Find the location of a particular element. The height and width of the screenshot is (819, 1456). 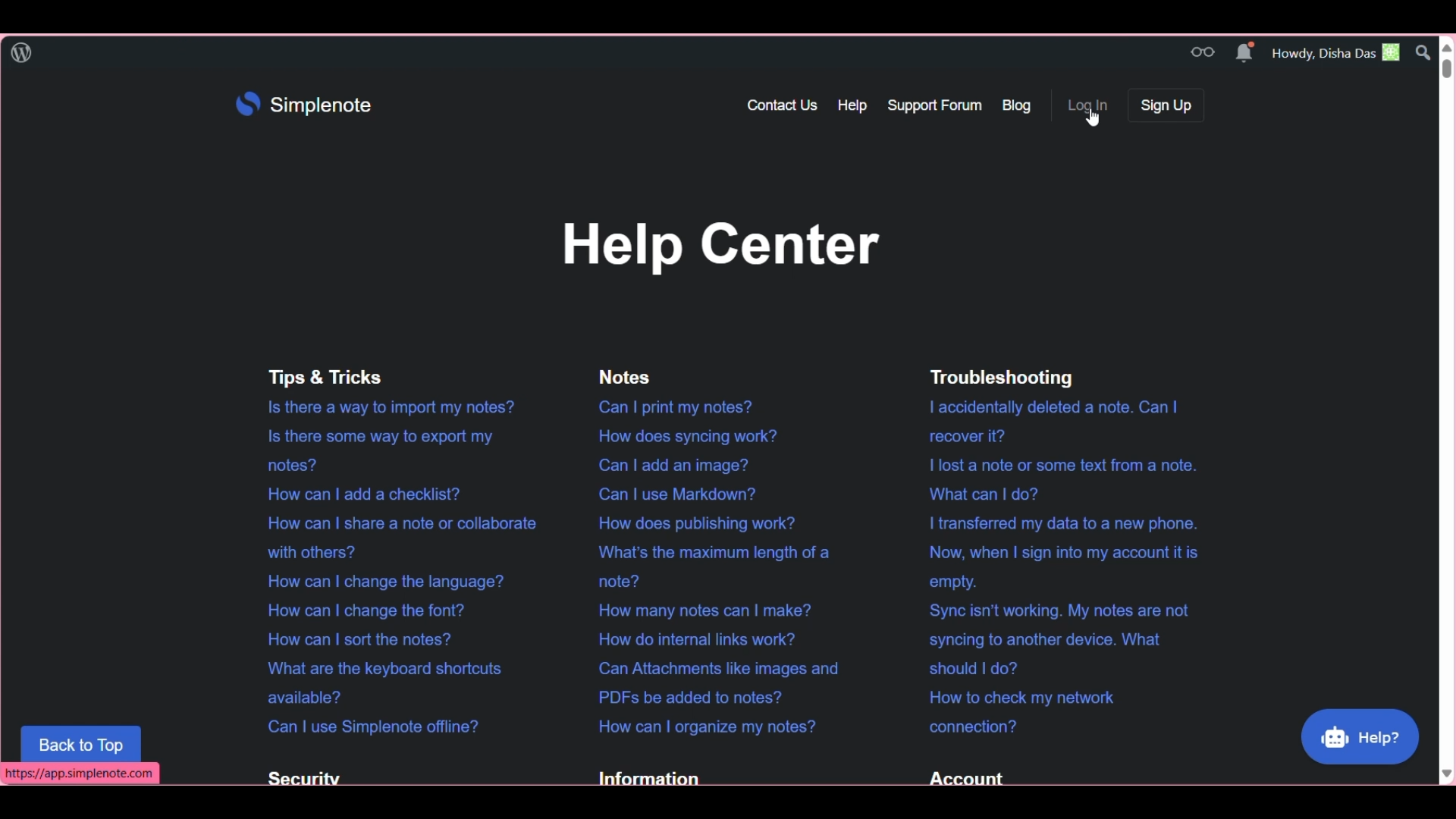

How do internal links work? is located at coordinates (688, 638).